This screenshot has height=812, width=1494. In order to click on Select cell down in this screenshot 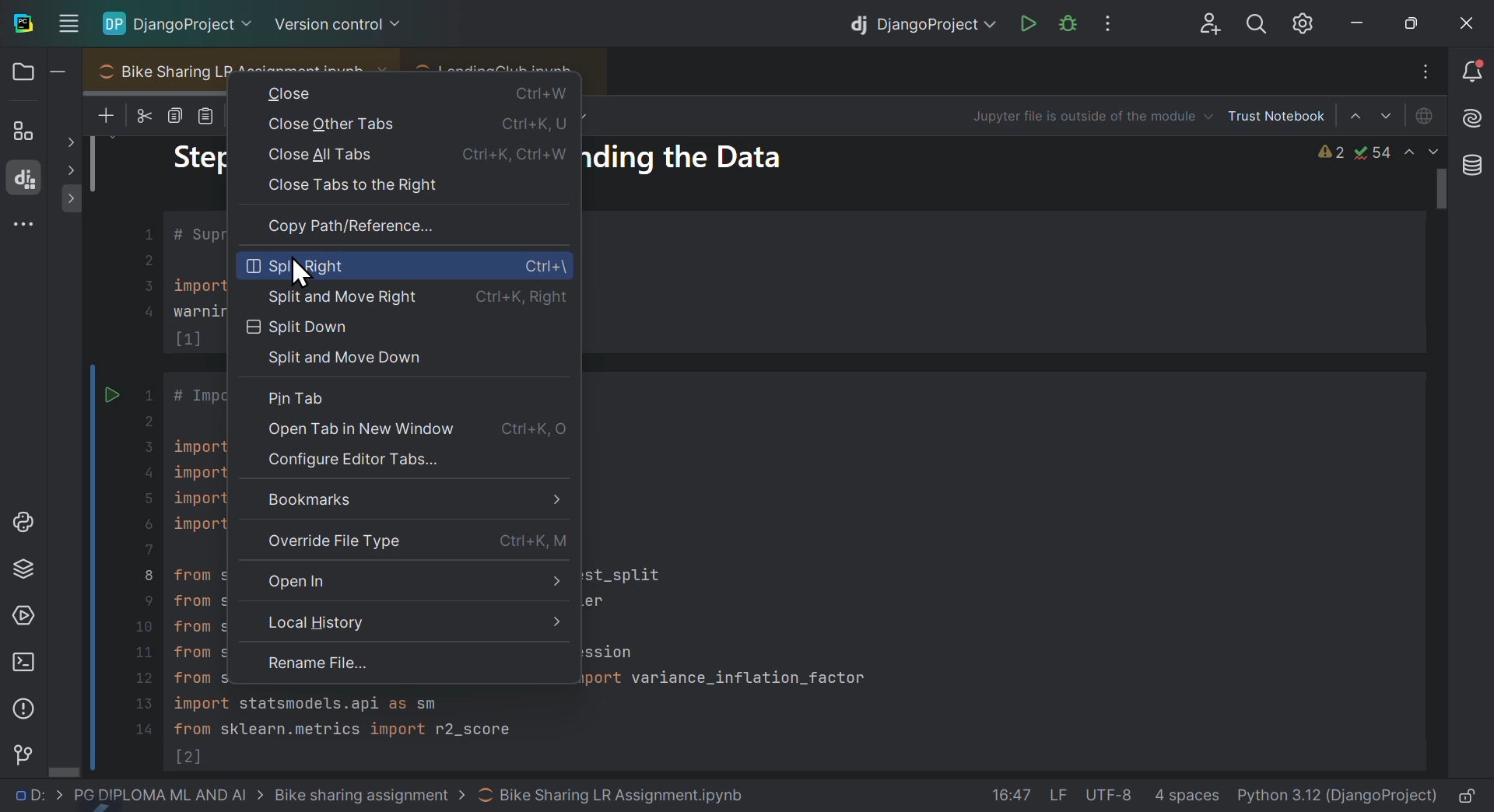, I will do `click(1382, 118)`.